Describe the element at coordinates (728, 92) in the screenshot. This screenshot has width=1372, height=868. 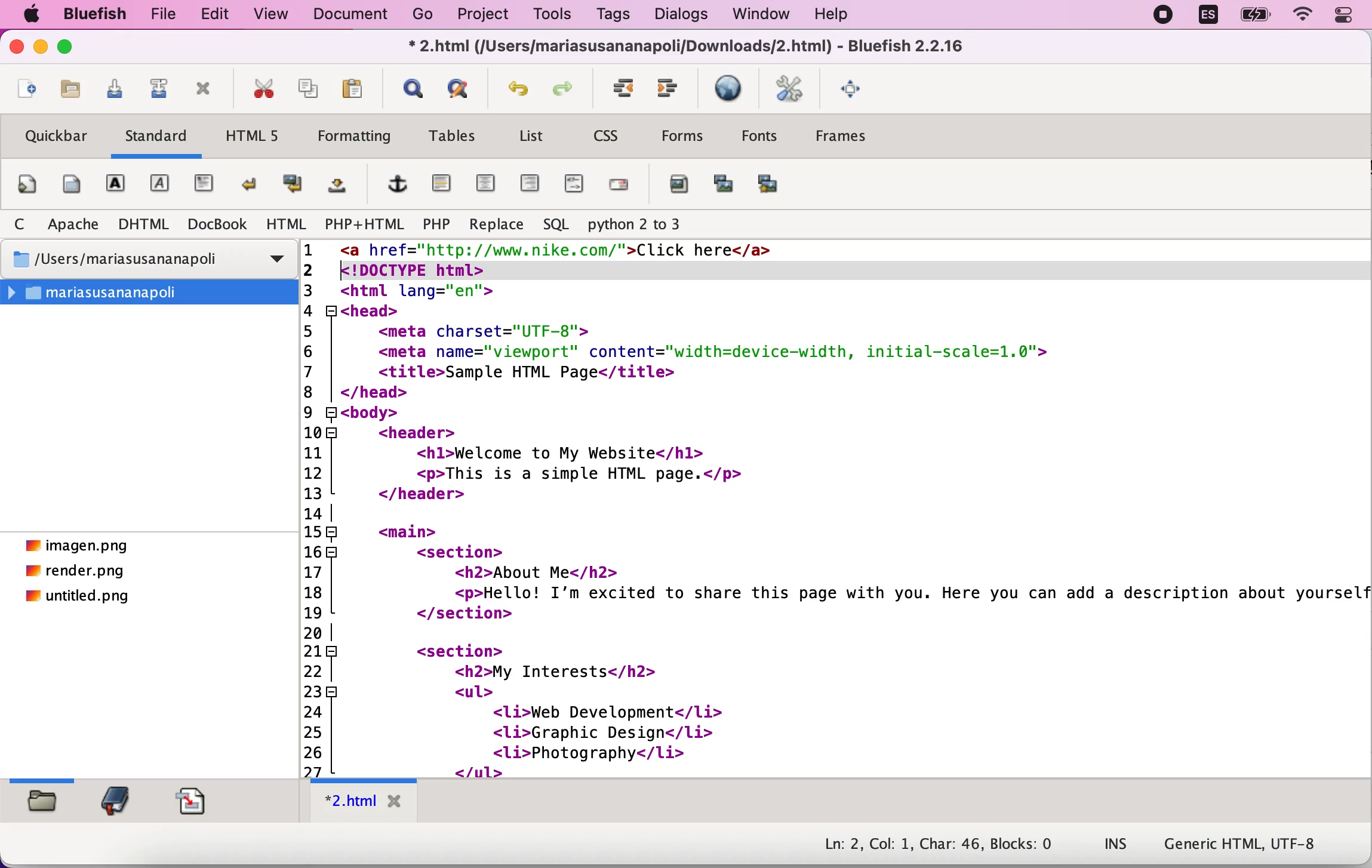
I see `preview in browser` at that location.